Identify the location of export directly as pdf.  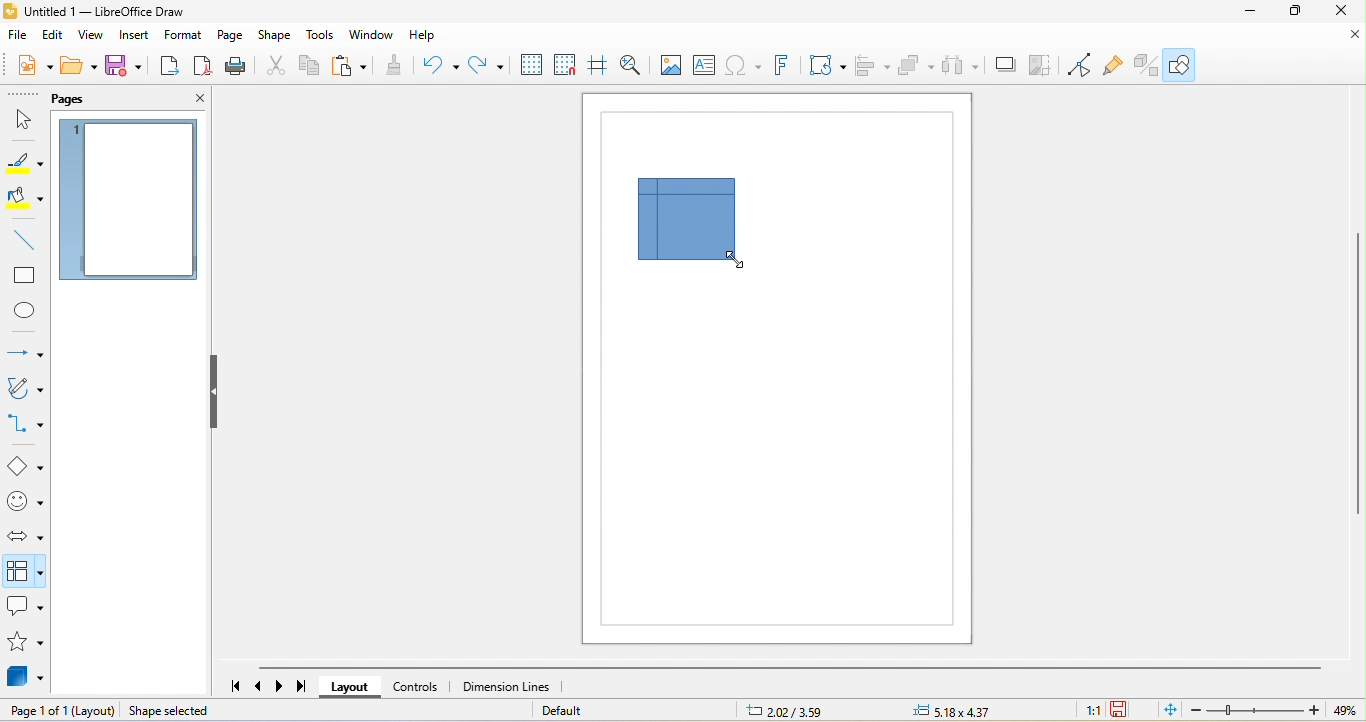
(205, 67).